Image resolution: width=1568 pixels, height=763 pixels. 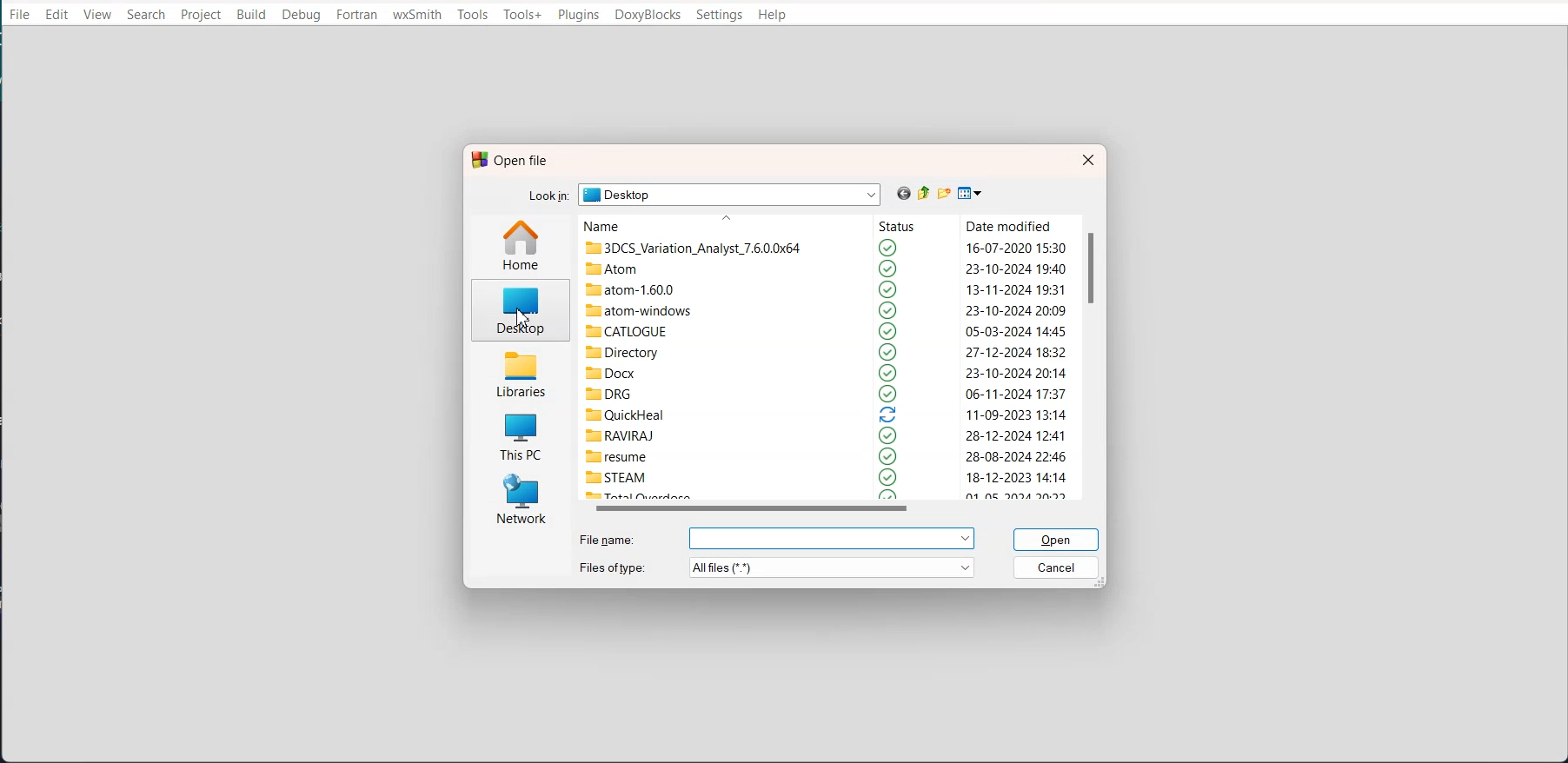 I want to click on File name, so click(x=775, y=538).